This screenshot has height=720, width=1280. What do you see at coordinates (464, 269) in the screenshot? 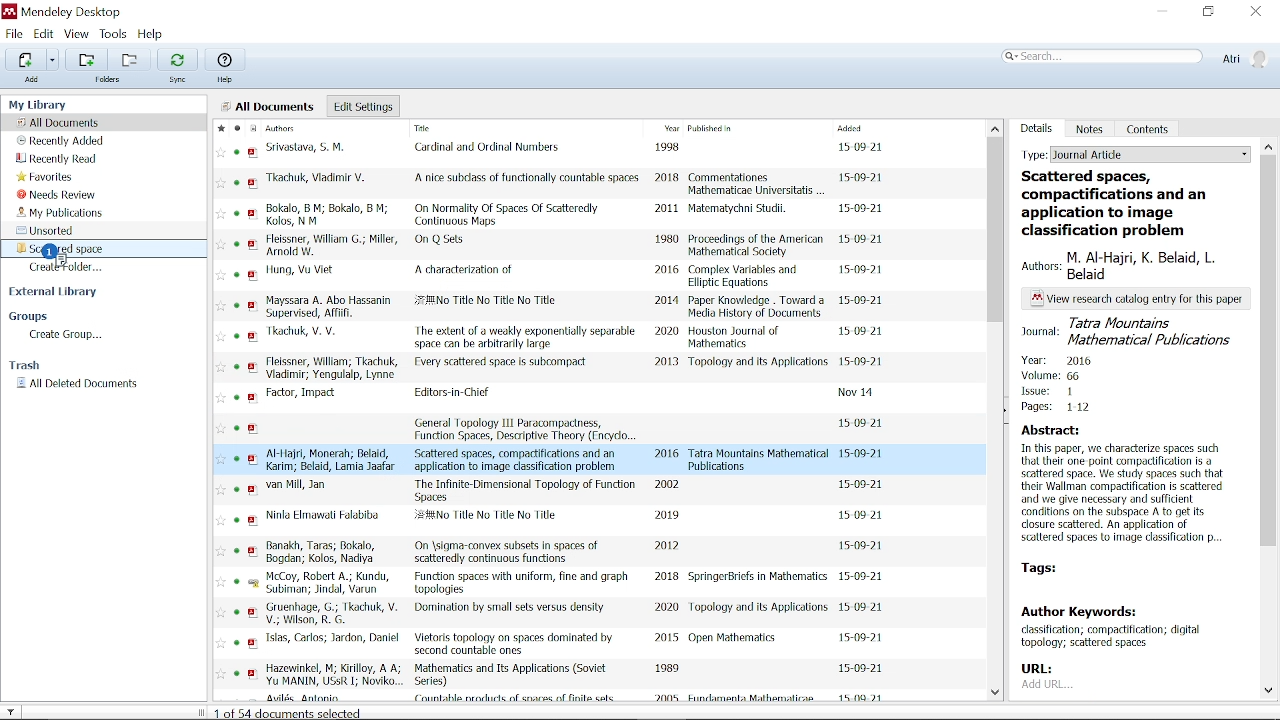
I see `title` at bounding box center [464, 269].